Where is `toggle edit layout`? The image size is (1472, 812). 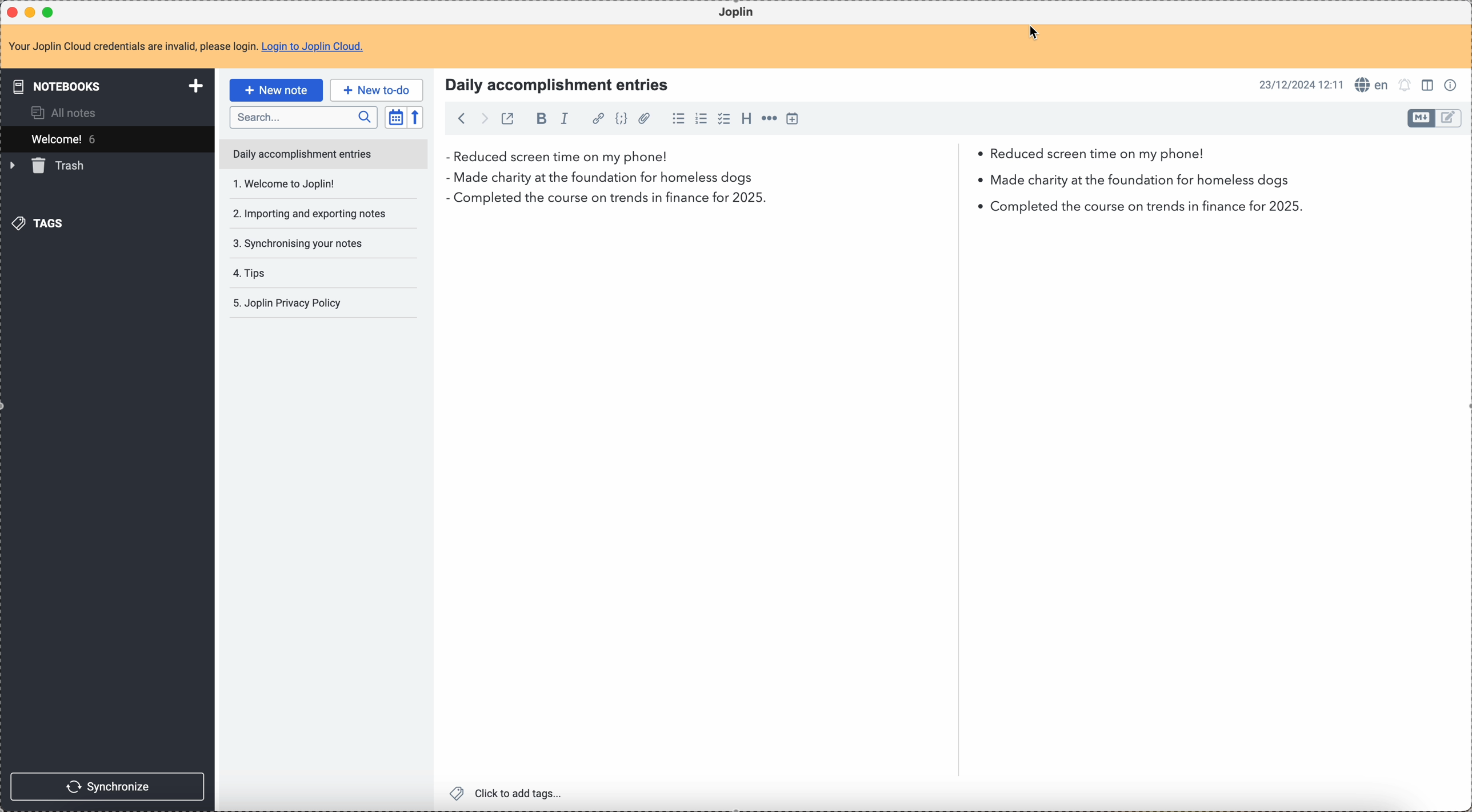 toggle edit layout is located at coordinates (1422, 118).